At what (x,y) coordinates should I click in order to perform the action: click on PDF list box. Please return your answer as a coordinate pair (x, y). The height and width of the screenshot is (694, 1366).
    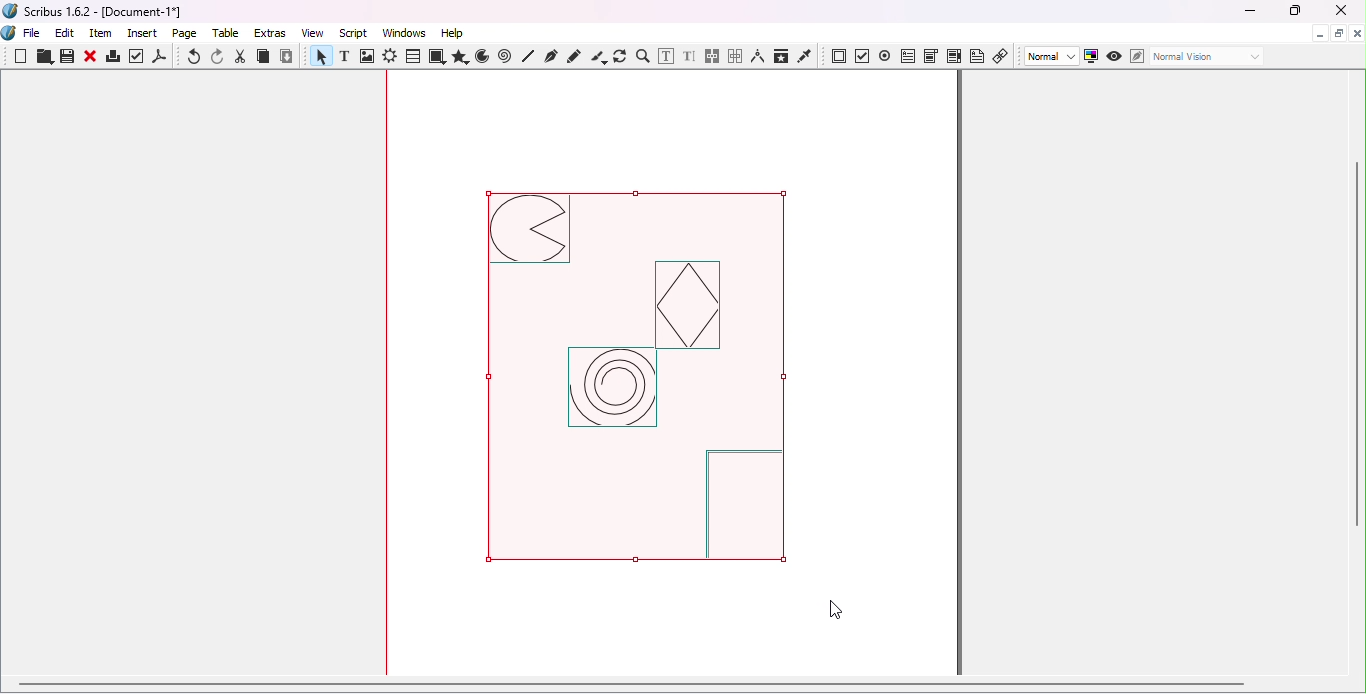
    Looking at the image, I should click on (954, 56).